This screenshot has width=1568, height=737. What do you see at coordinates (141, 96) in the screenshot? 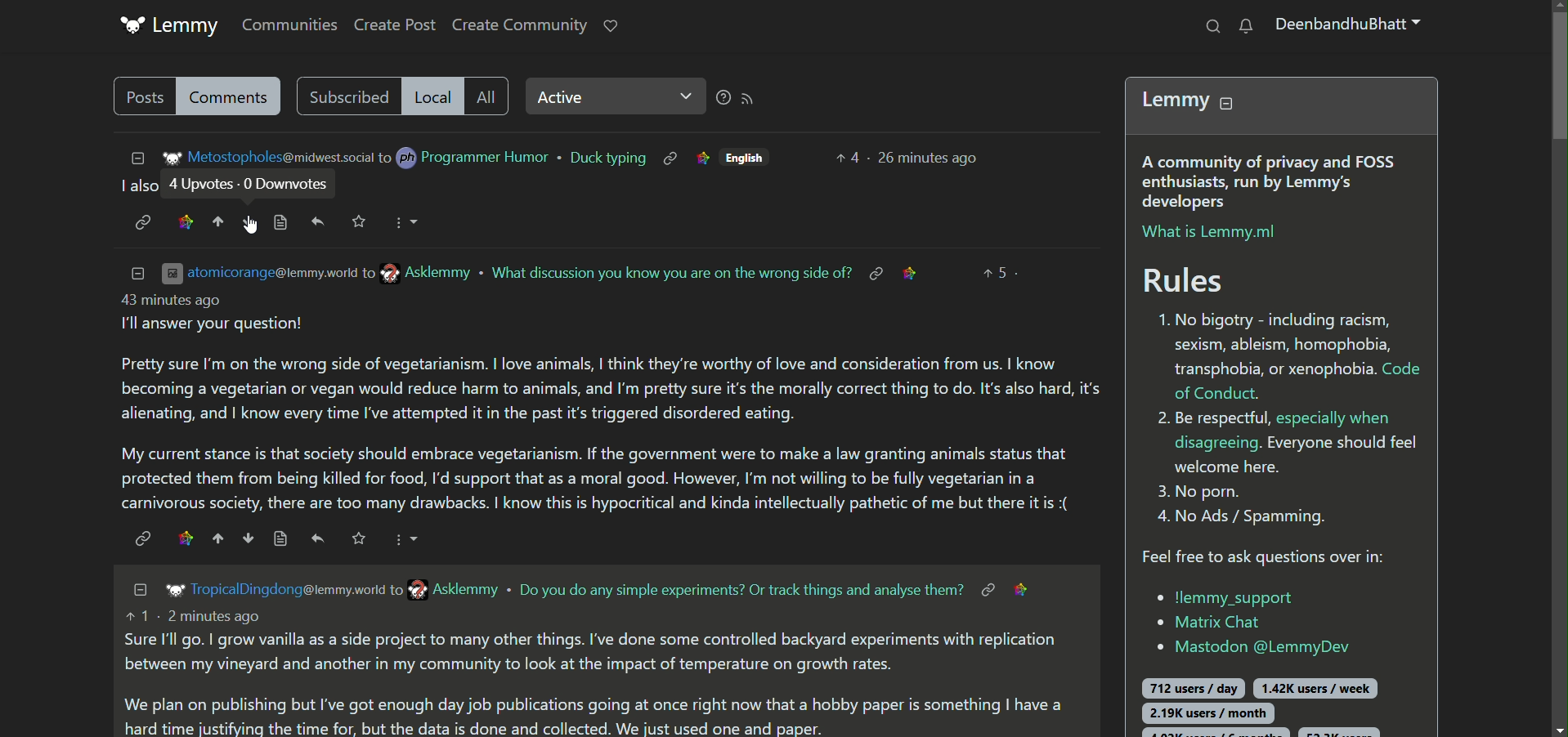
I see `post button` at bounding box center [141, 96].